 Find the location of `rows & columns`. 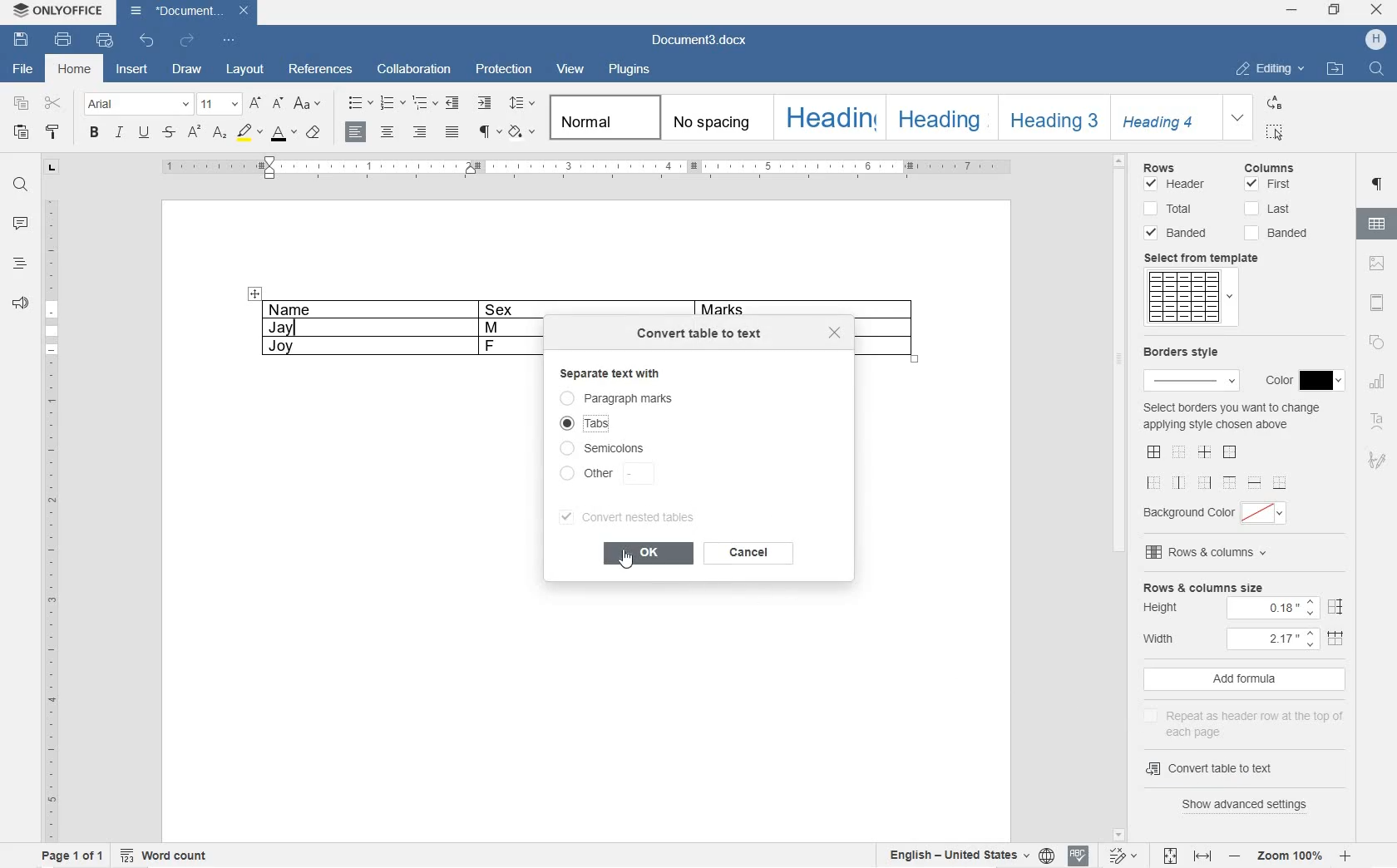

rows & columns is located at coordinates (1208, 553).